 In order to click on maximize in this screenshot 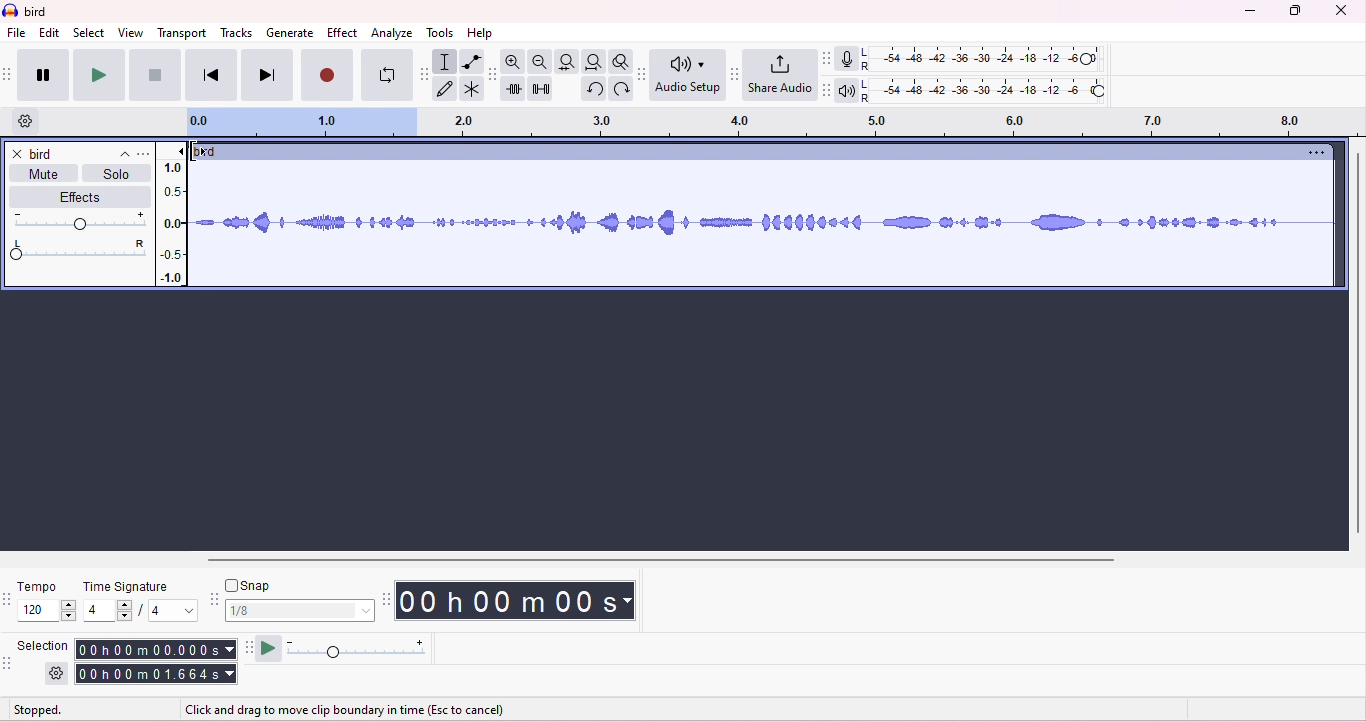, I will do `click(1296, 12)`.